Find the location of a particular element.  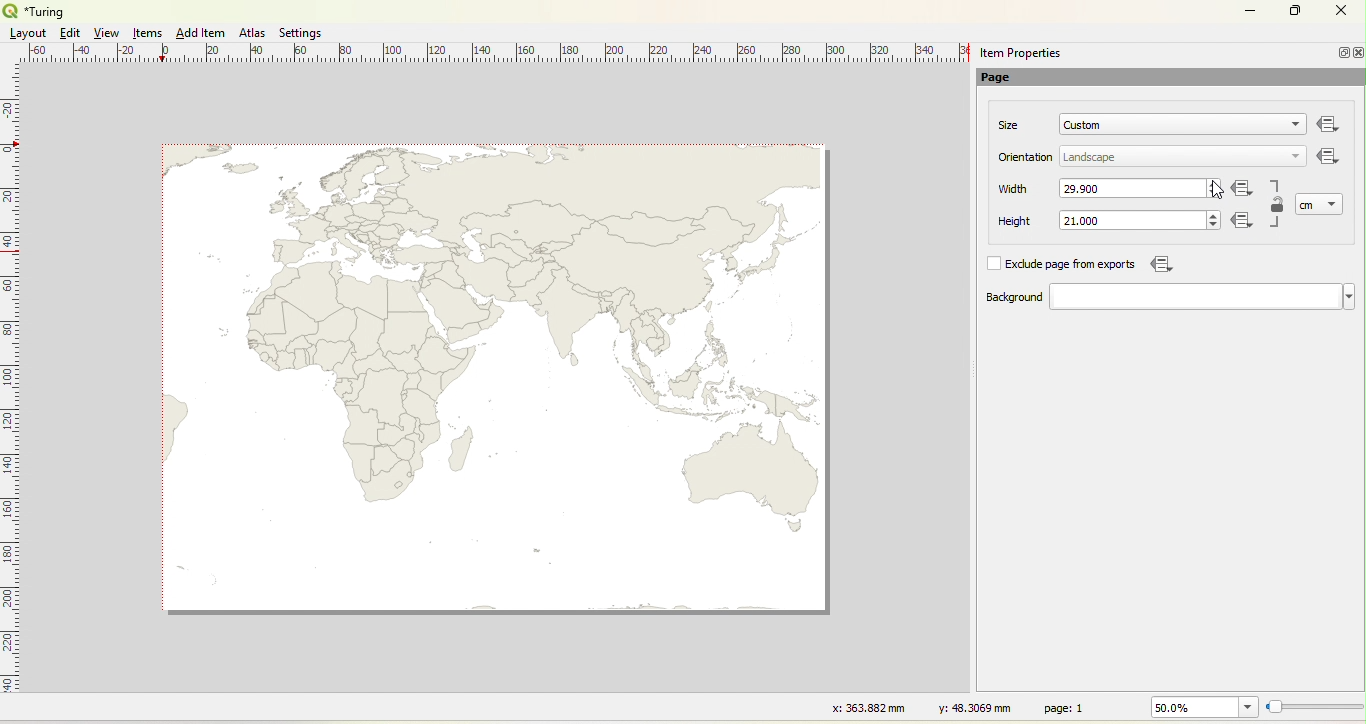

Size is located at coordinates (1010, 125).